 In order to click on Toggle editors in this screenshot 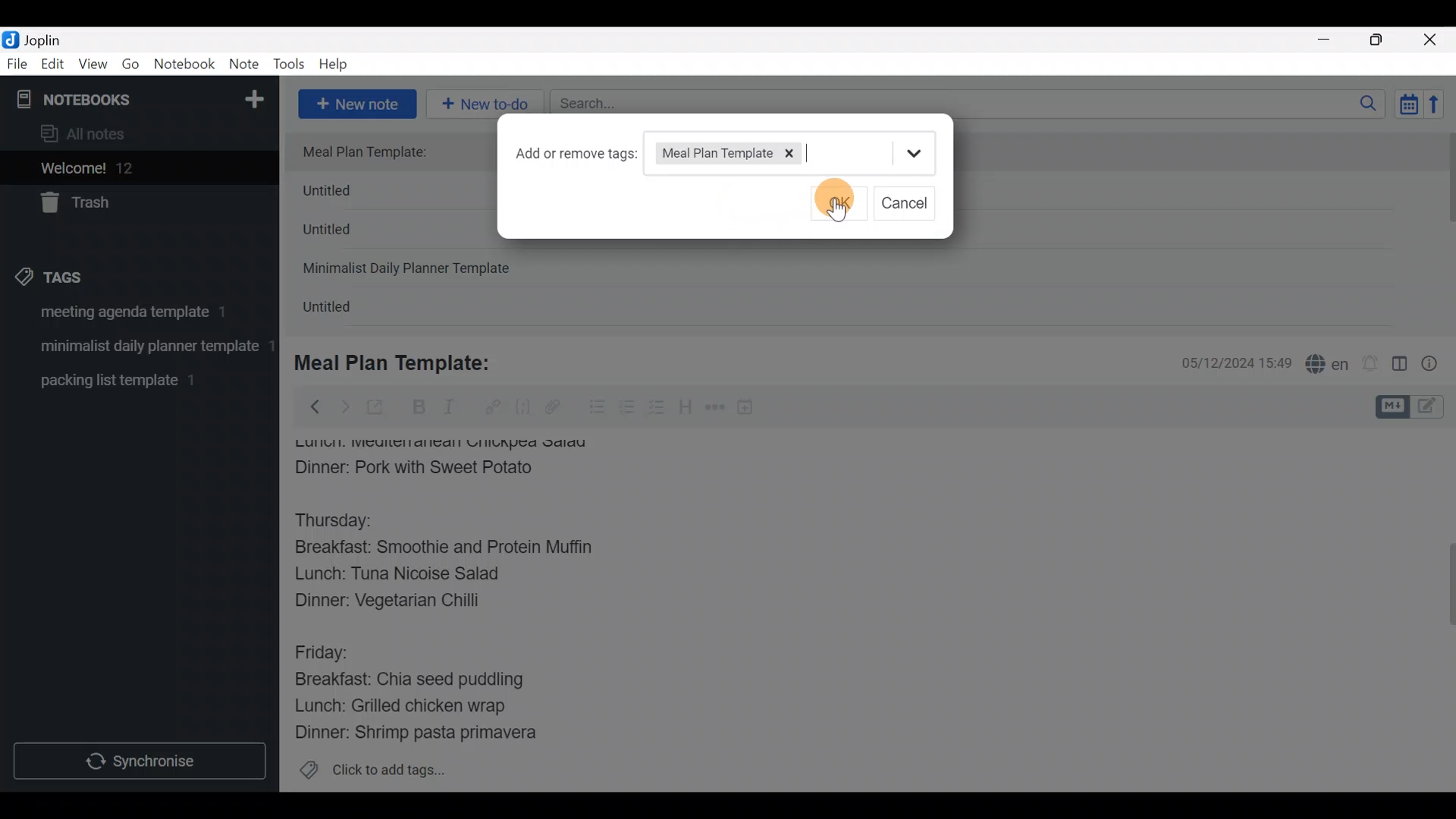, I will do `click(1414, 405)`.